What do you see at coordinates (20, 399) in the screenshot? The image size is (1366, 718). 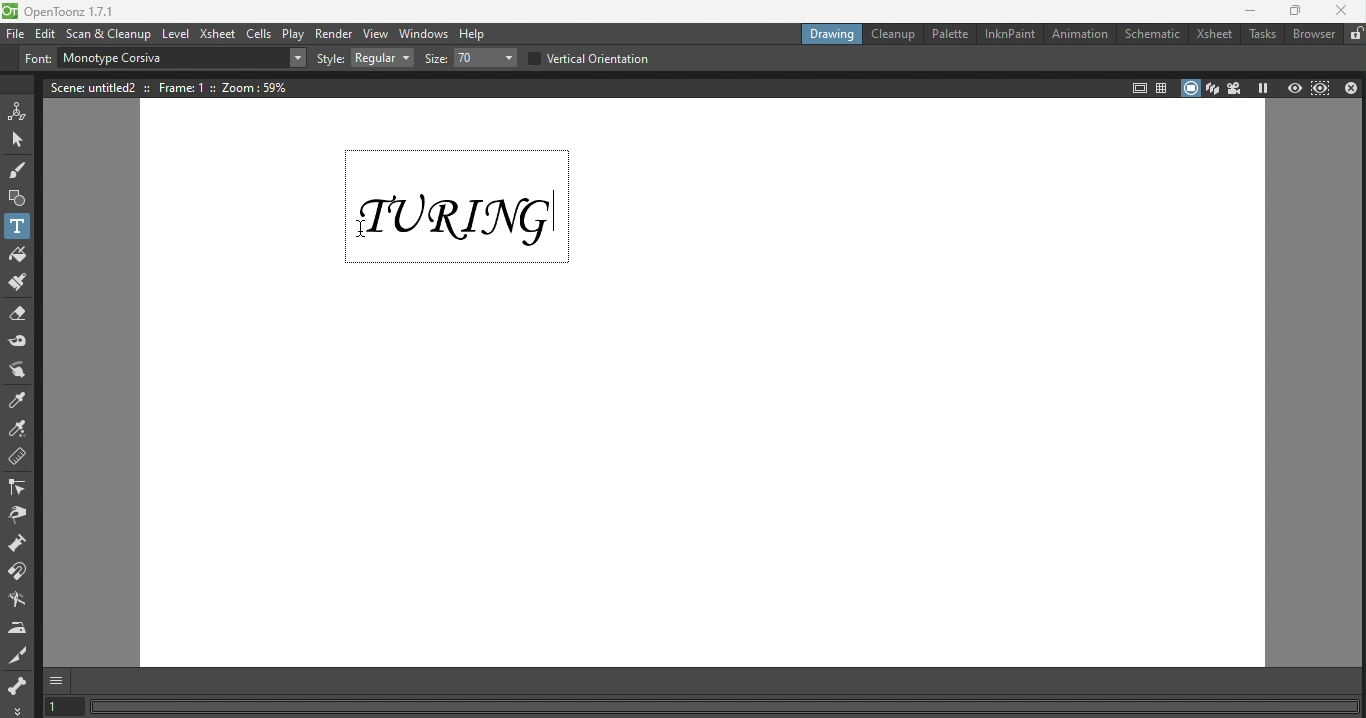 I see `Style picker tool` at bounding box center [20, 399].